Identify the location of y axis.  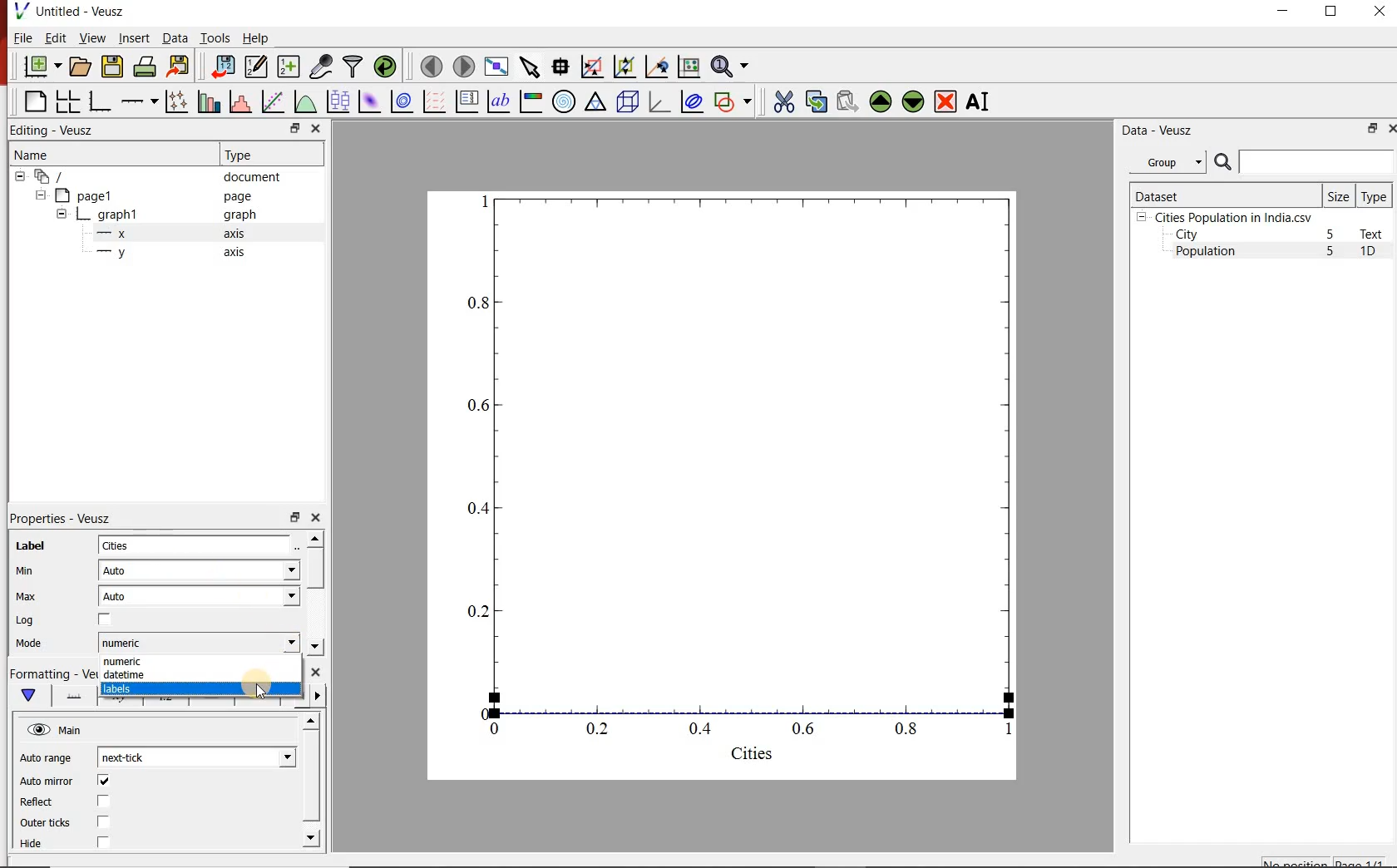
(174, 253).